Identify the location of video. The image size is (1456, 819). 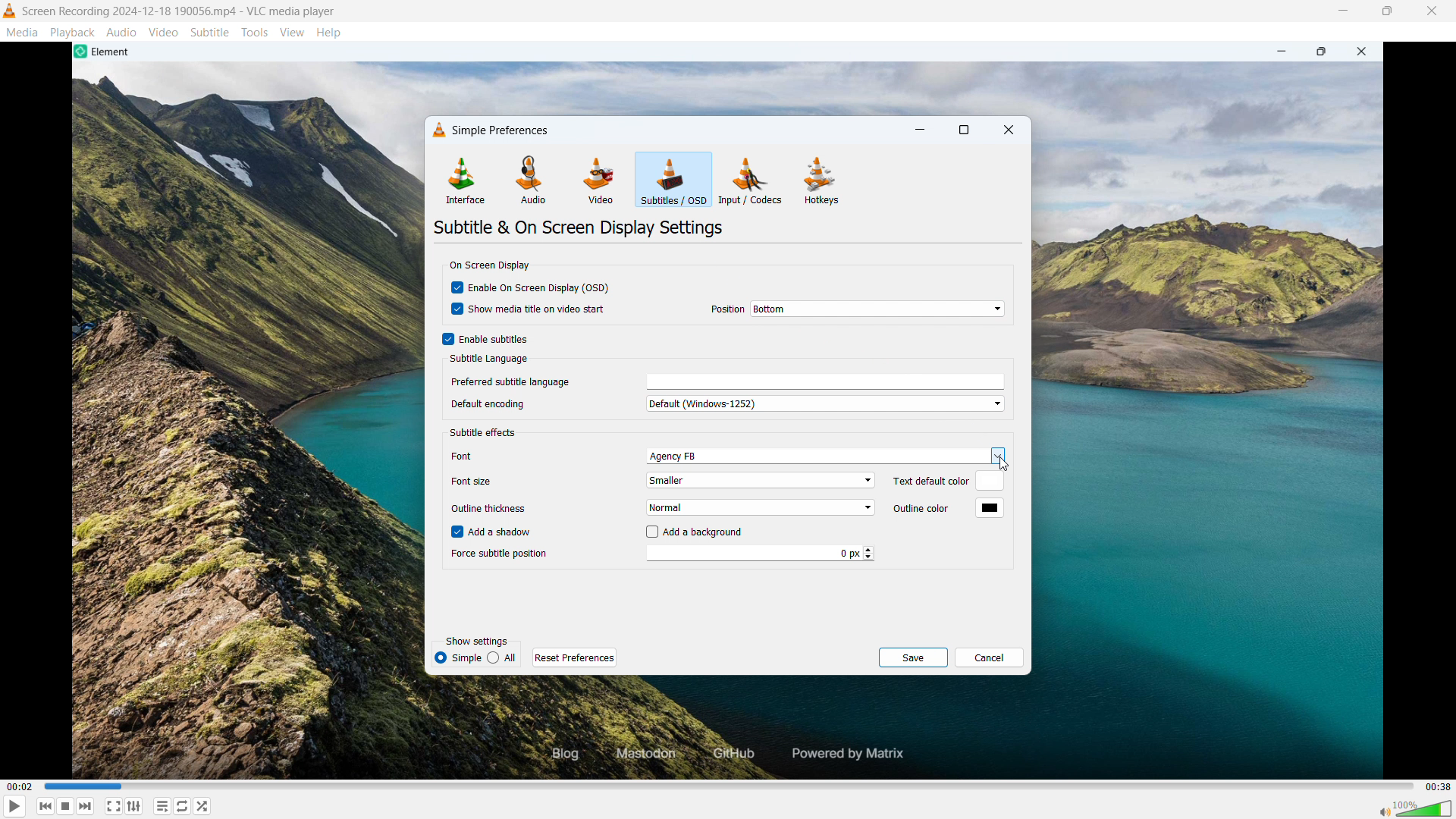
(598, 182).